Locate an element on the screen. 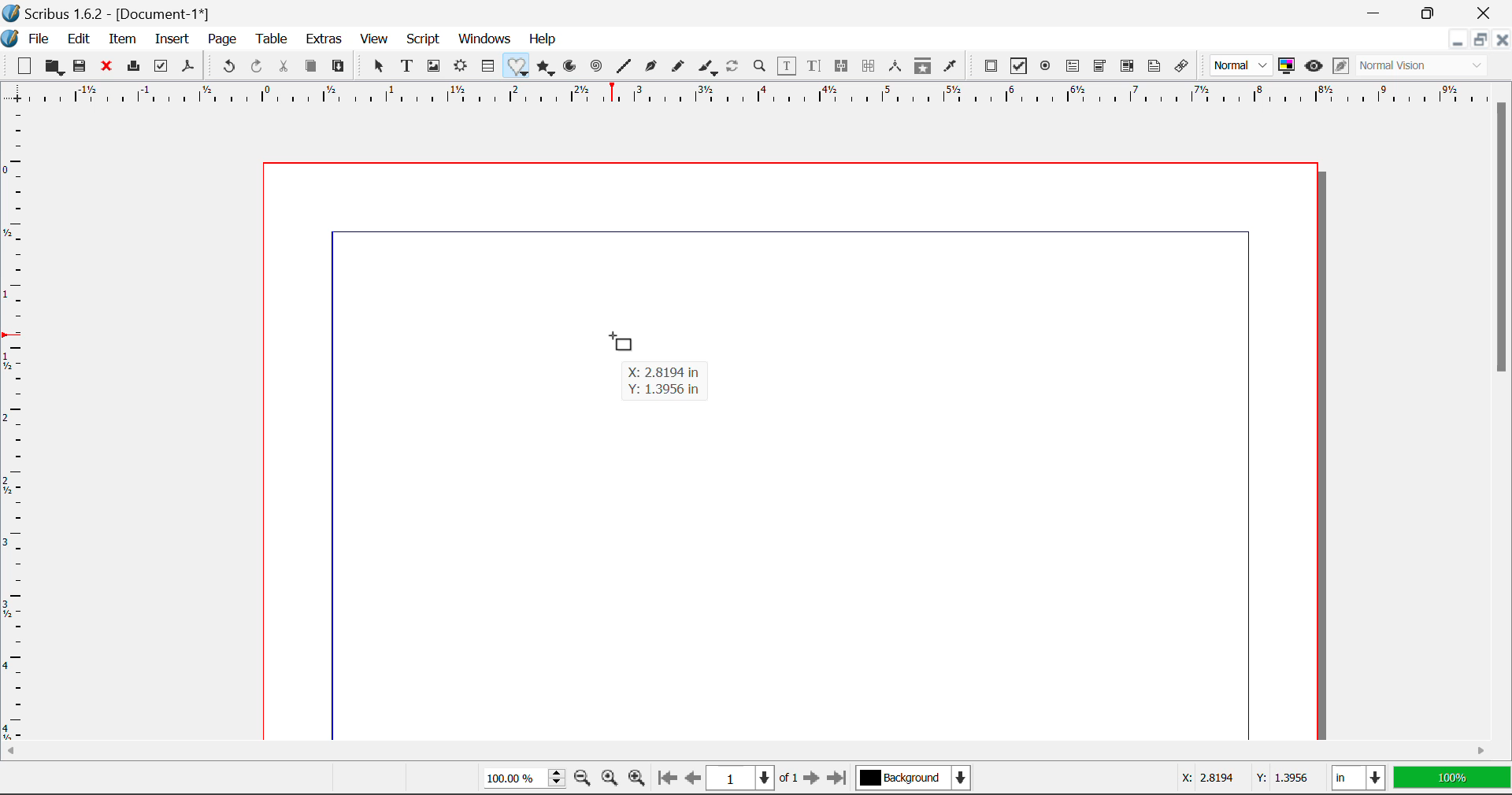  Freehand Curve is located at coordinates (680, 66).